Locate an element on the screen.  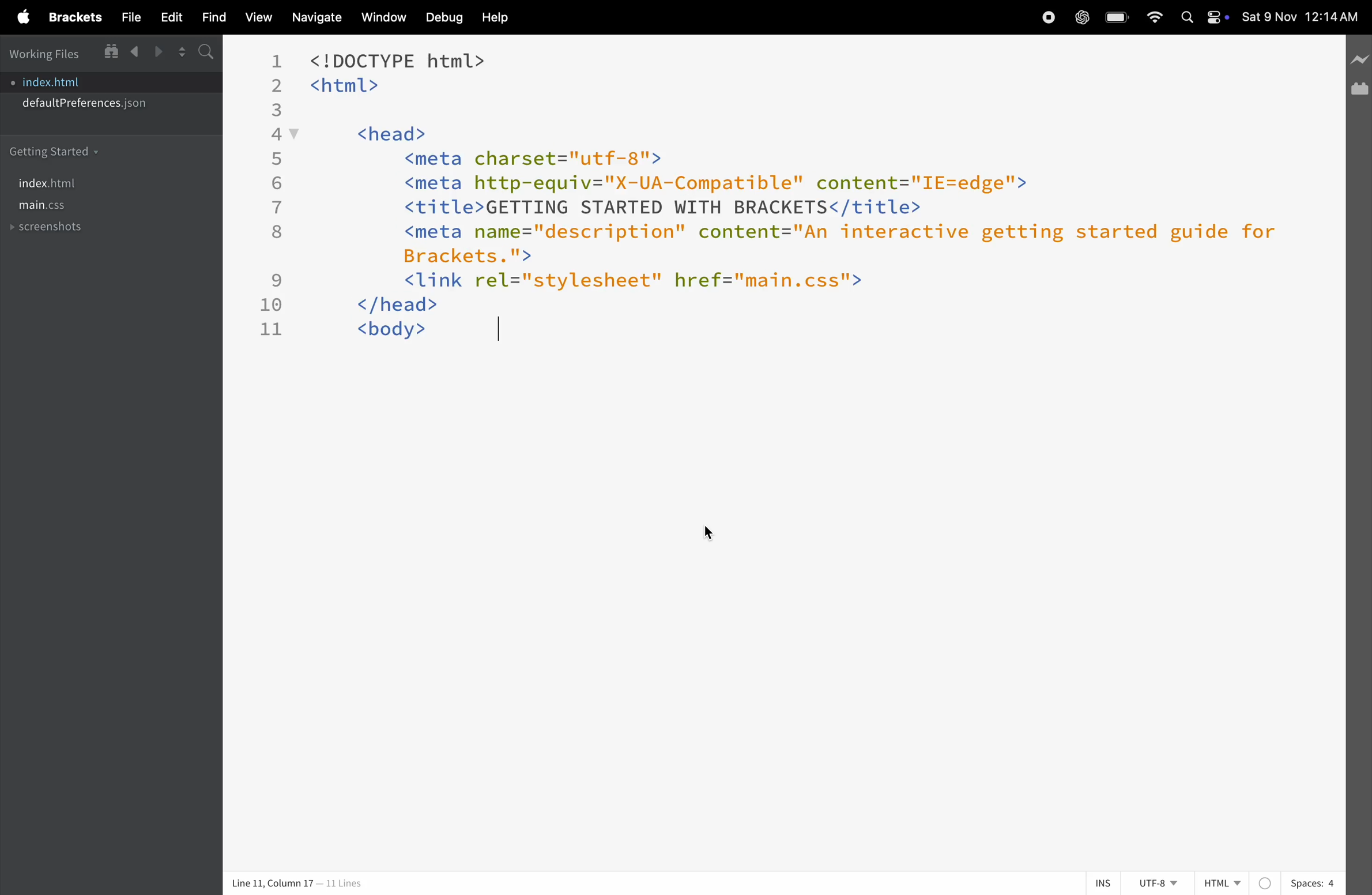
forward is located at coordinates (160, 52).